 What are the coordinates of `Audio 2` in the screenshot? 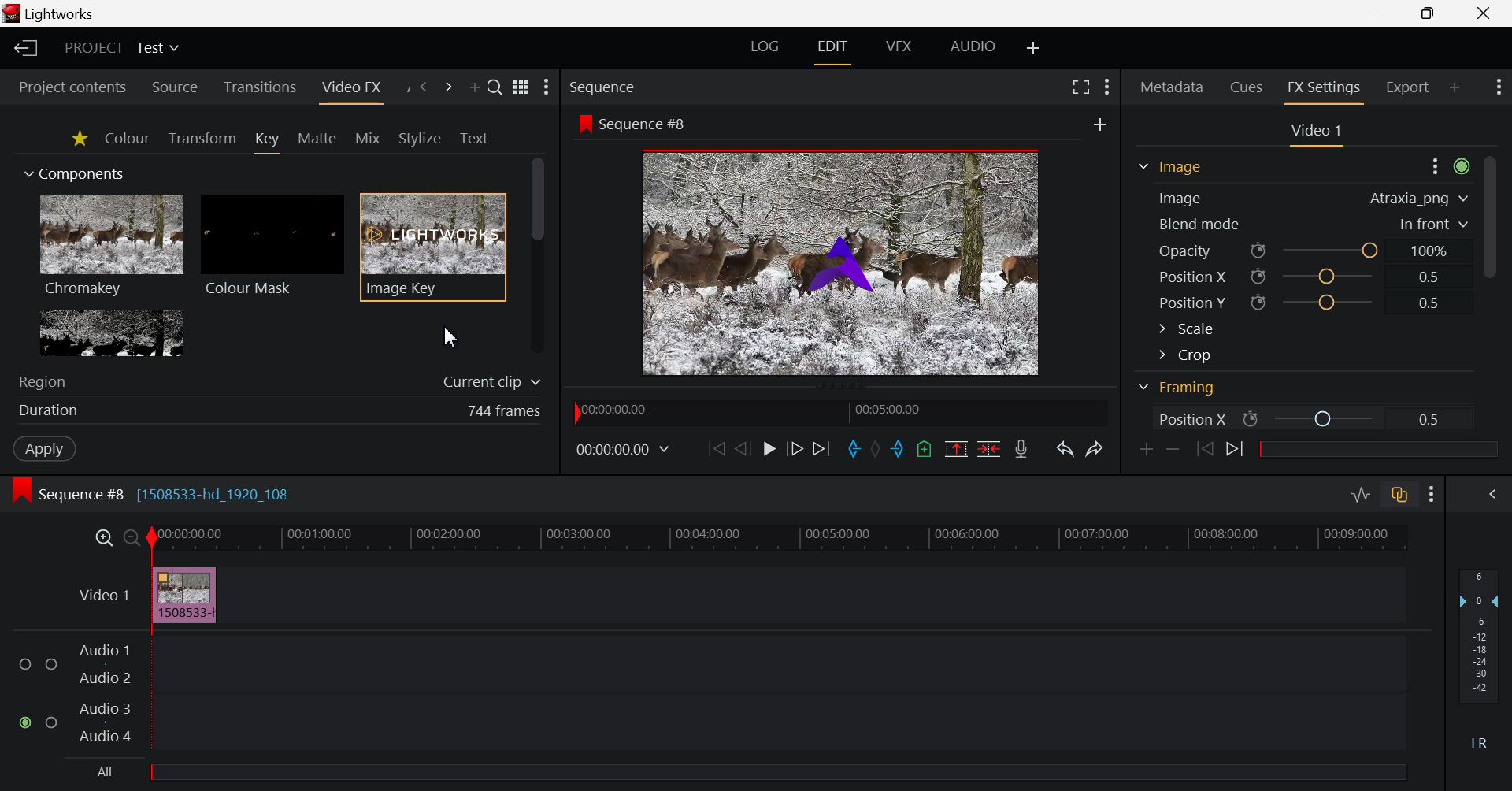 It's located at (106, 679).